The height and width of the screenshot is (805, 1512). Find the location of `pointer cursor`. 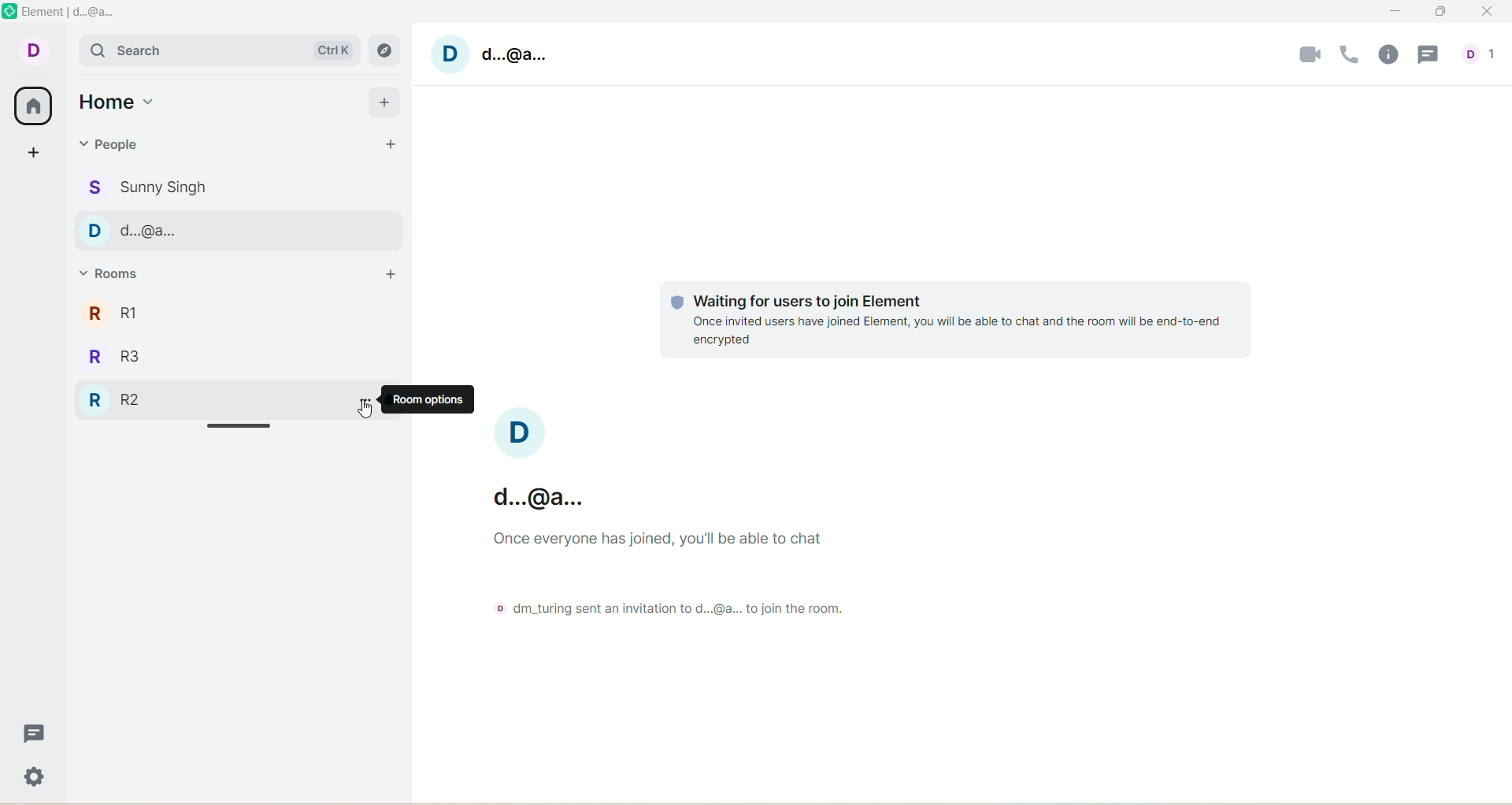

pointer cursor is located at coordinates (362, 410).